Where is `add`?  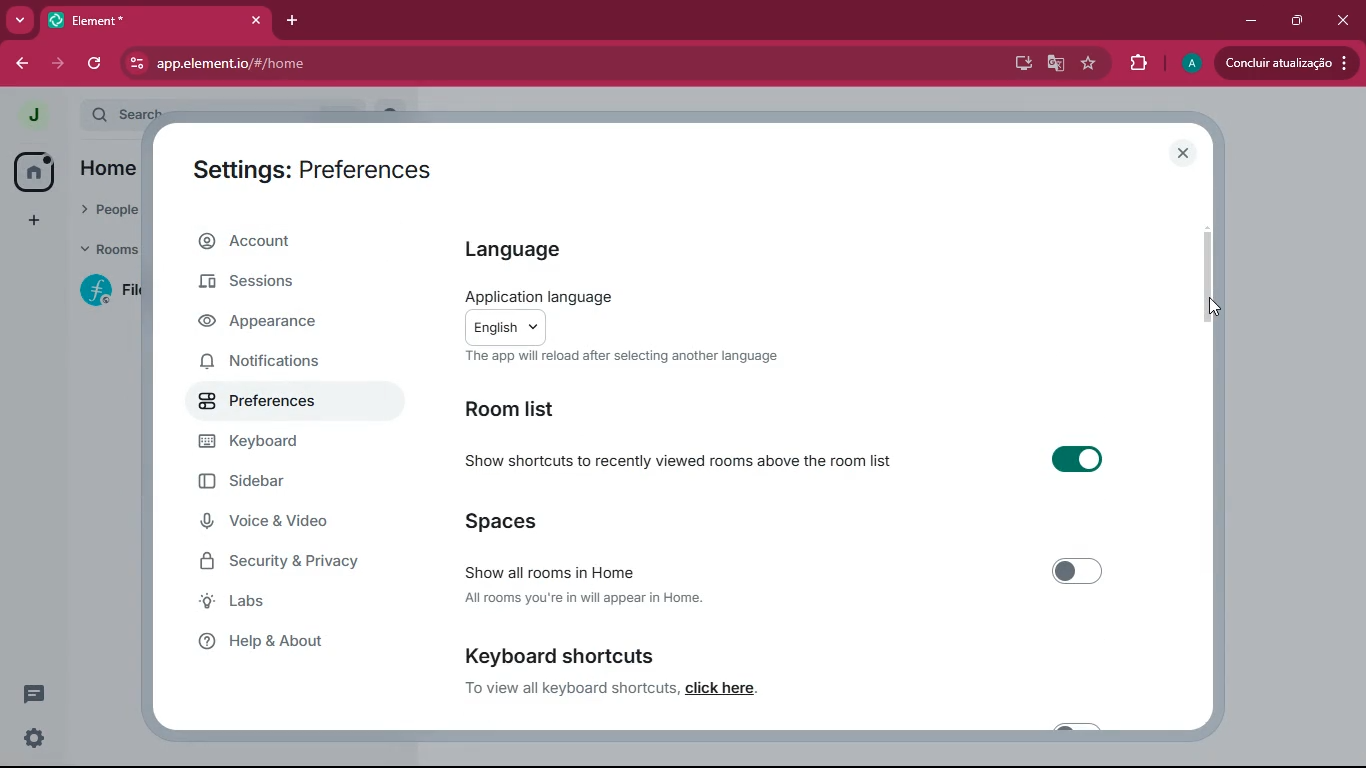
add is located at coordinates (31, 222).